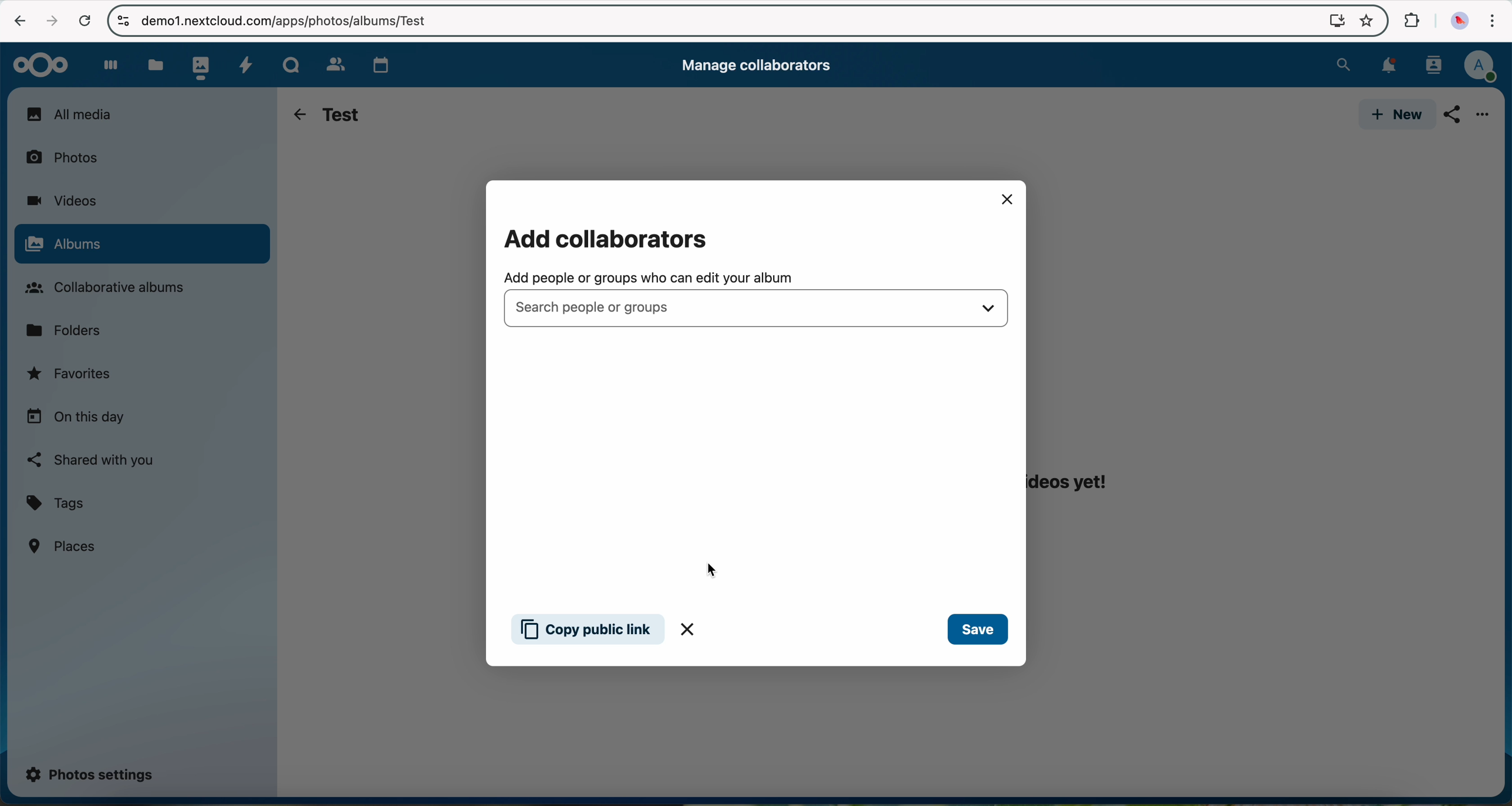 The height and width of the screenshot is (806, 1512). What do you see at coordinates (378, 62) in the screenshot?
I see `calendar` at bounding box center [378, 62].